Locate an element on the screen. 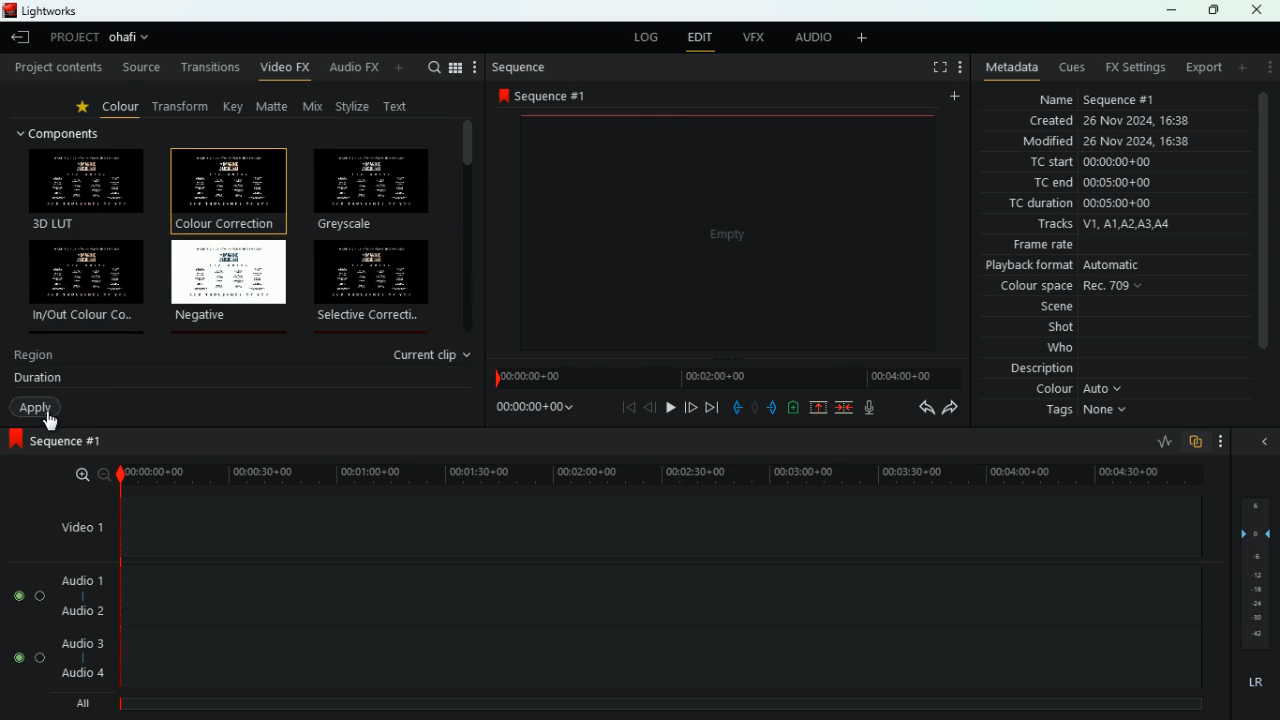 The height and width of the screenshot is (720, 1280). description is located at coordinates (1040, 371).